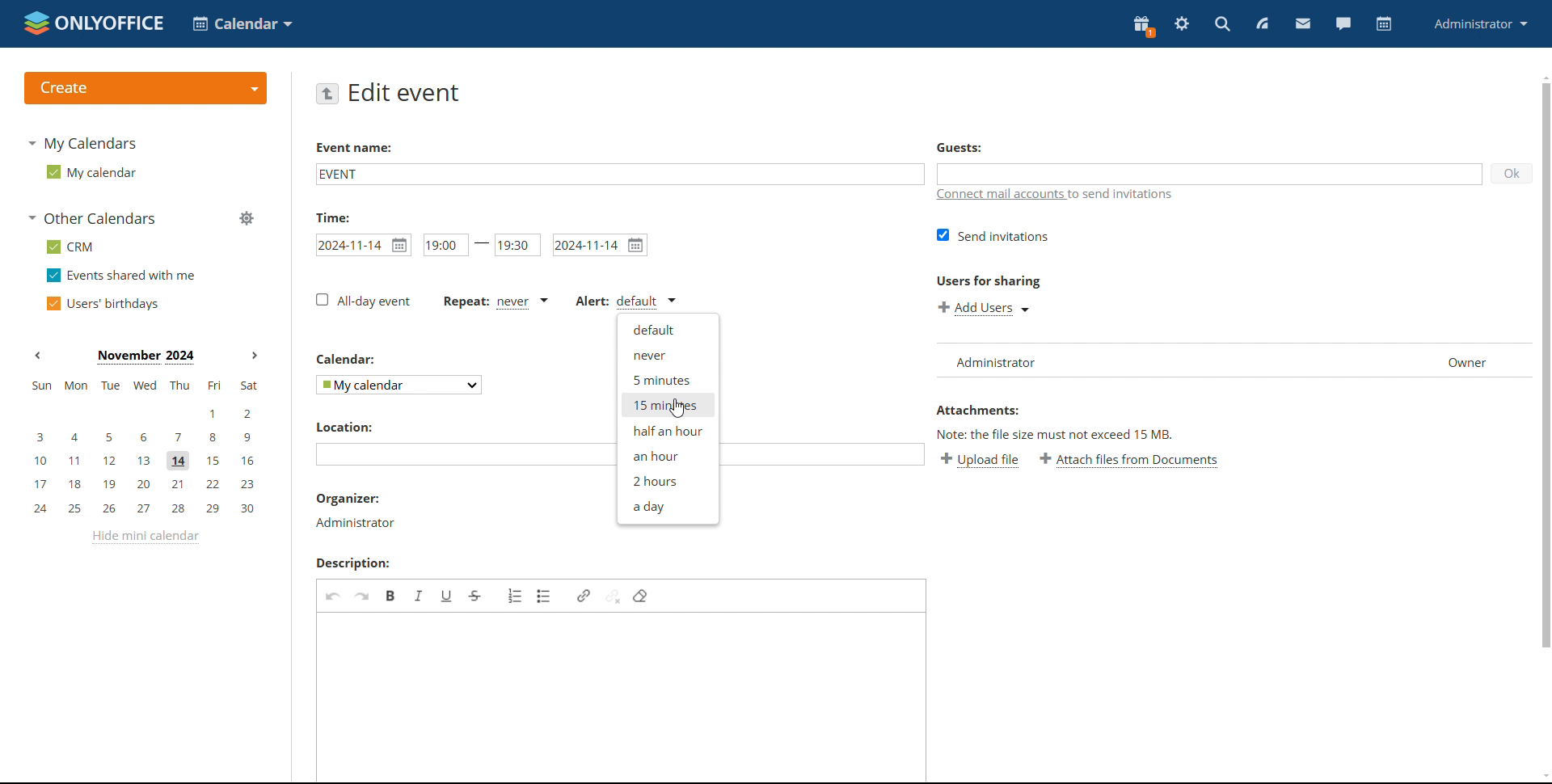 This screenshot has height=784, width=1552. I want to click on select calendar, so click(398, 385).